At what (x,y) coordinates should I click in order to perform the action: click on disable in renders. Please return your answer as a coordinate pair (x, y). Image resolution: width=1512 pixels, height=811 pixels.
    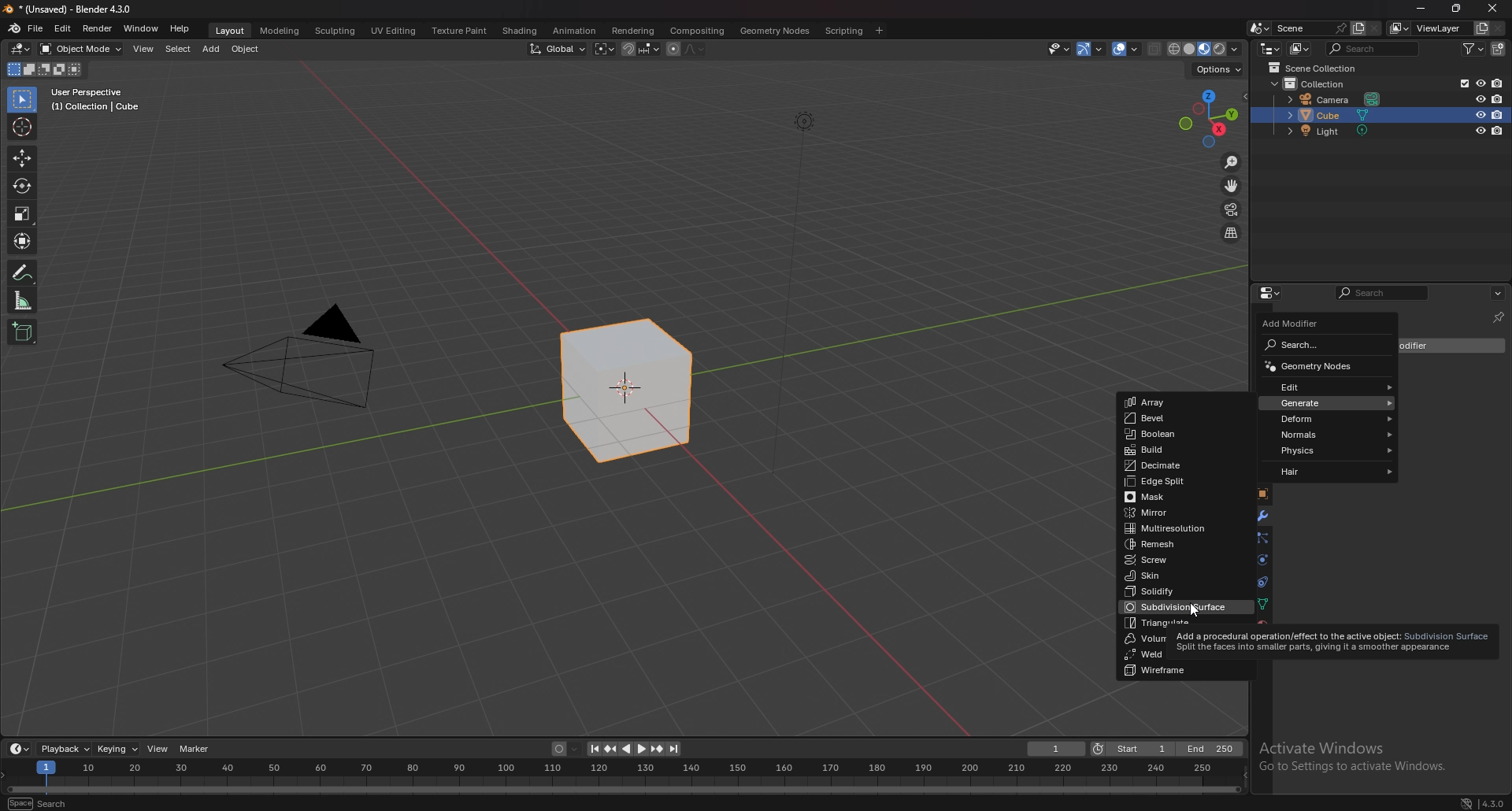
    Looking at the image, I should click on (1497, 114).